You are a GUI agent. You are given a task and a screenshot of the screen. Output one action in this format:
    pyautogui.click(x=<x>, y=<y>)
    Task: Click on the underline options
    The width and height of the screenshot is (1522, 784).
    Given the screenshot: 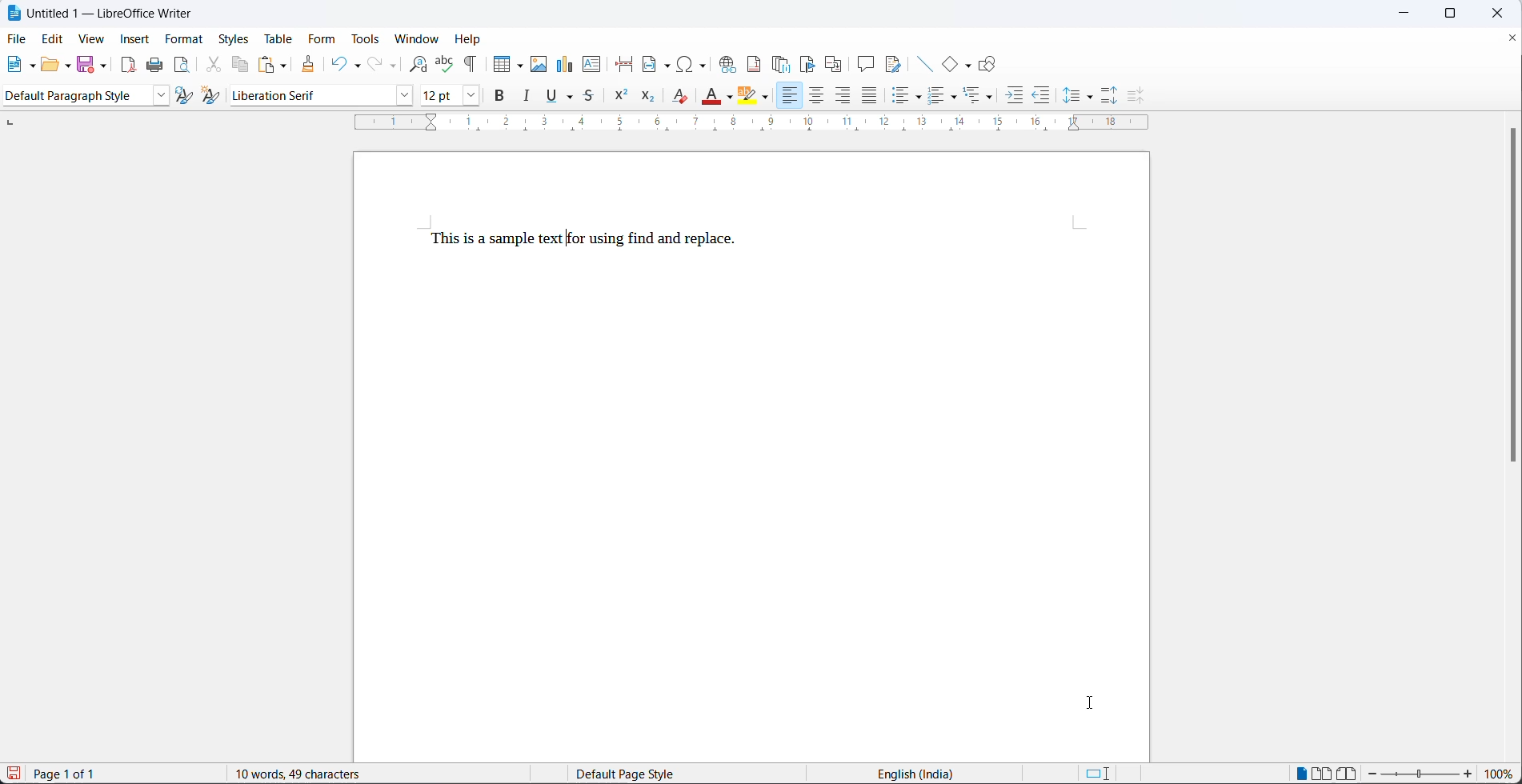 What is the action you would take?
    pyautogui.click(x=571, y=98)
    